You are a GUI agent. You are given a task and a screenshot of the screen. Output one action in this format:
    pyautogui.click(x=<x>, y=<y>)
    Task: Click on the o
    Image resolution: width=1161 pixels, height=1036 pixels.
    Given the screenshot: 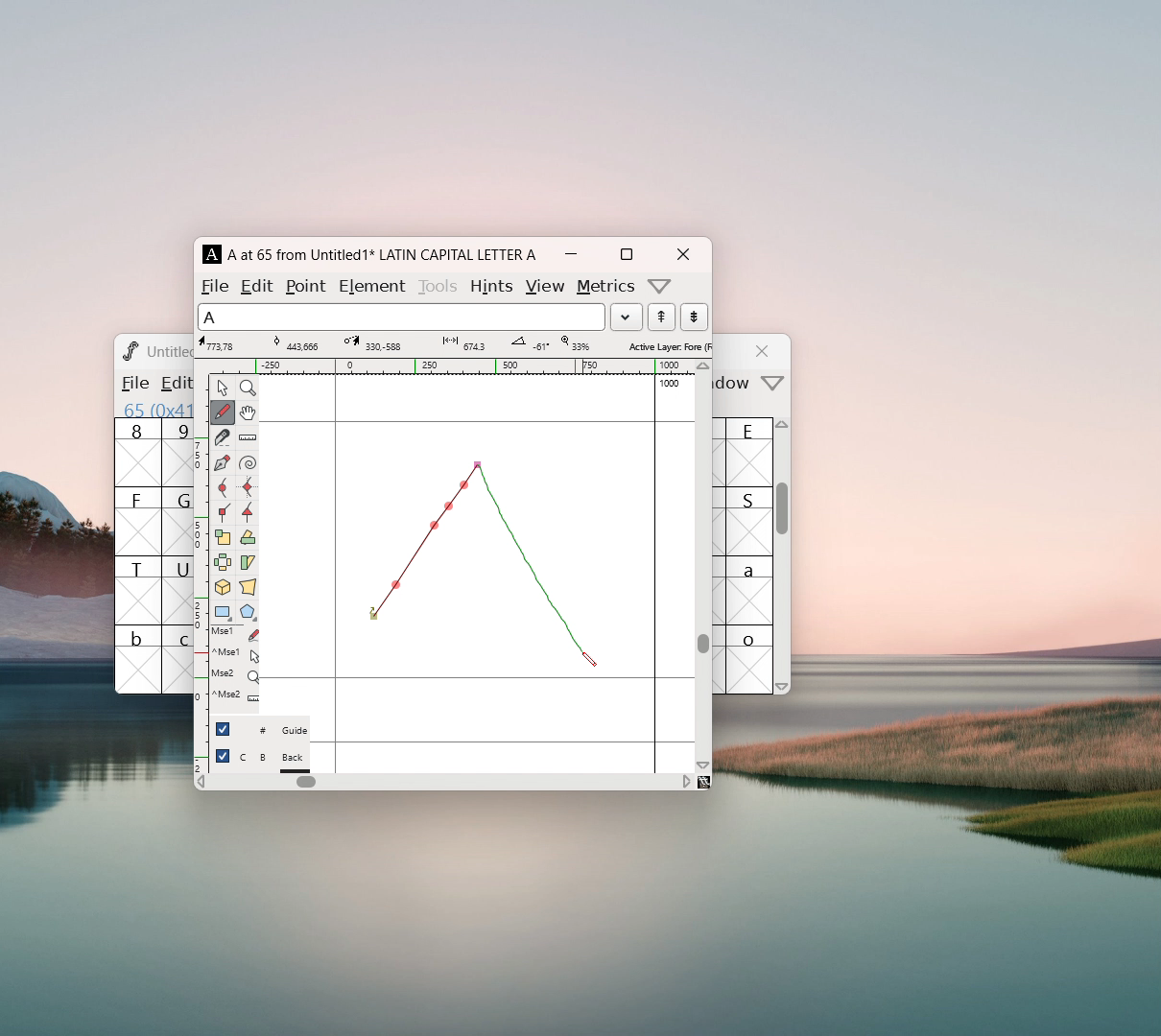 What is the action you would take?
    pyautogui.click(x=751, y=659)
    